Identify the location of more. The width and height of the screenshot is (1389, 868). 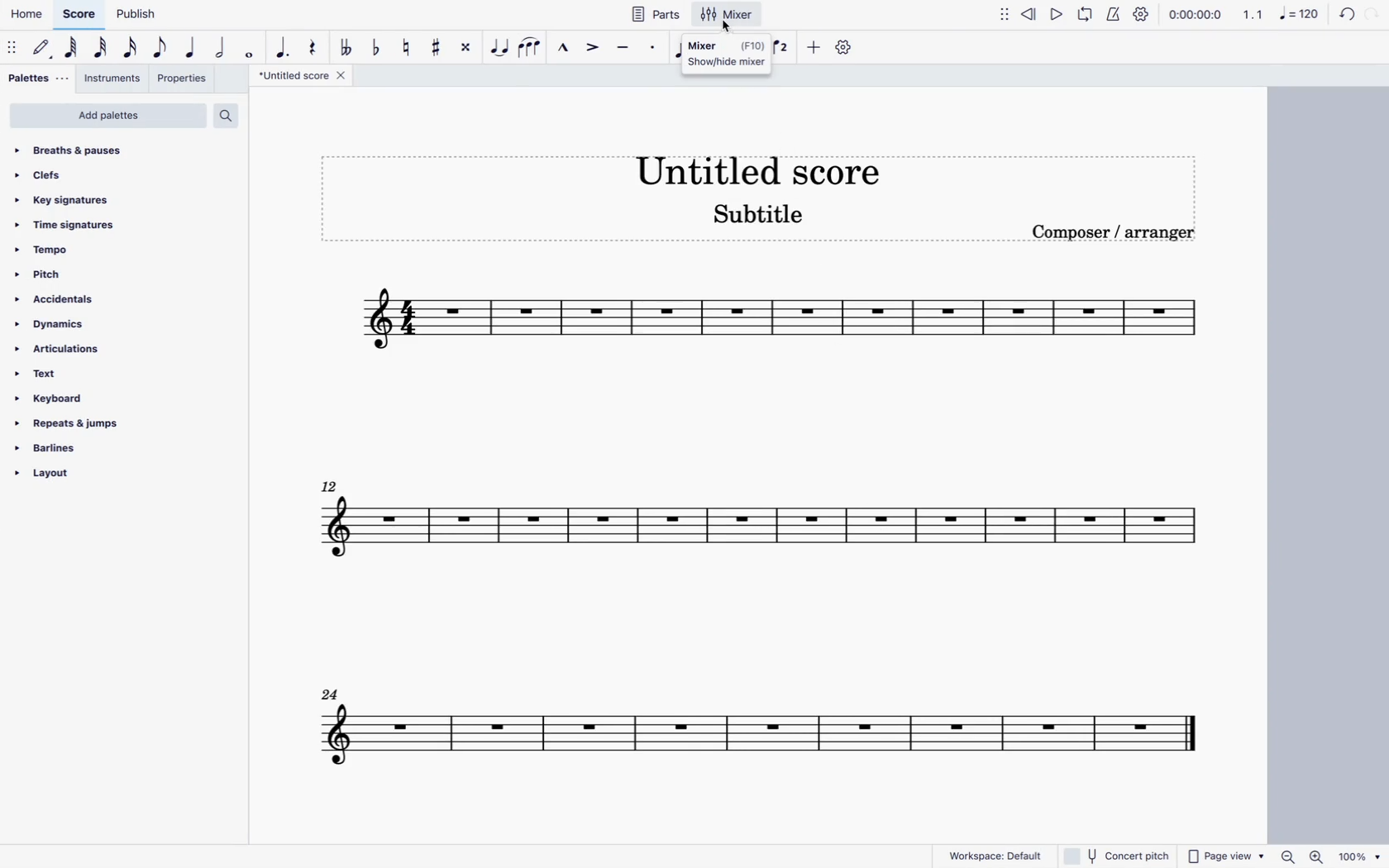
(811, 46).